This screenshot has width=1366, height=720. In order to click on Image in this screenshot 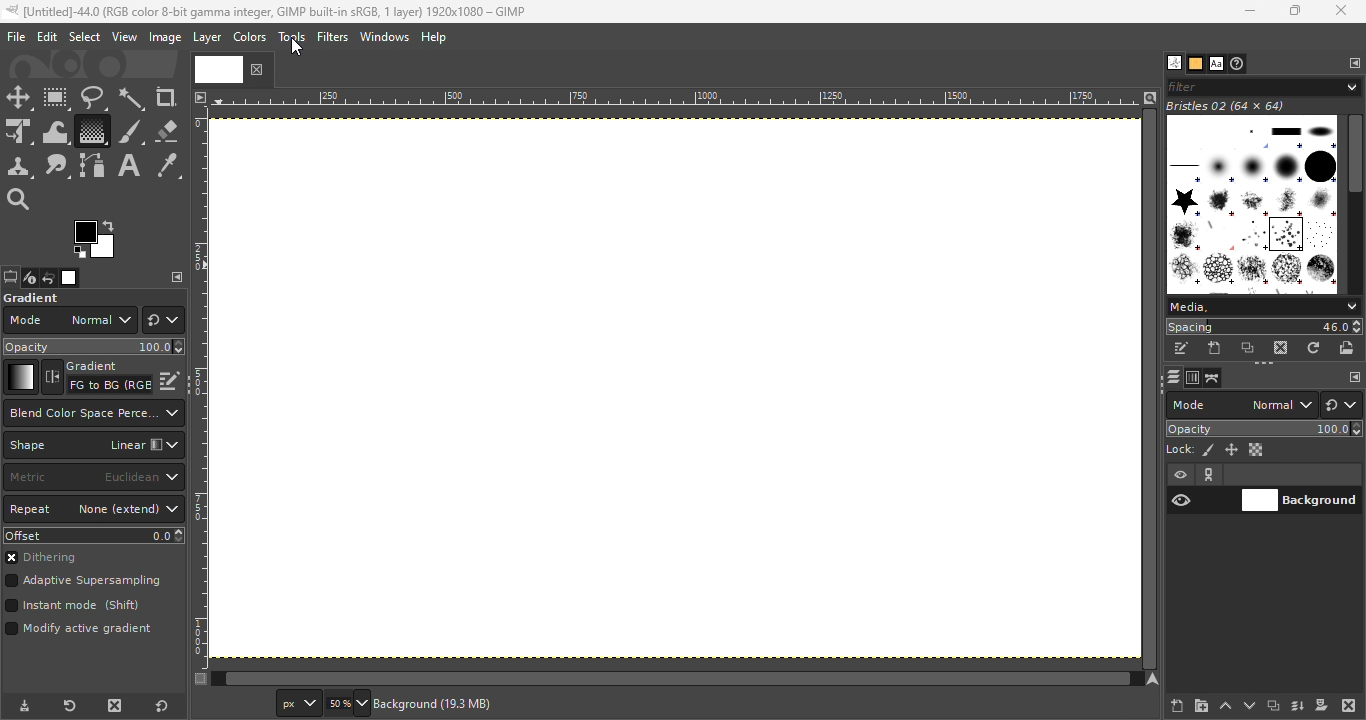, I will do `click(164, 38)`.